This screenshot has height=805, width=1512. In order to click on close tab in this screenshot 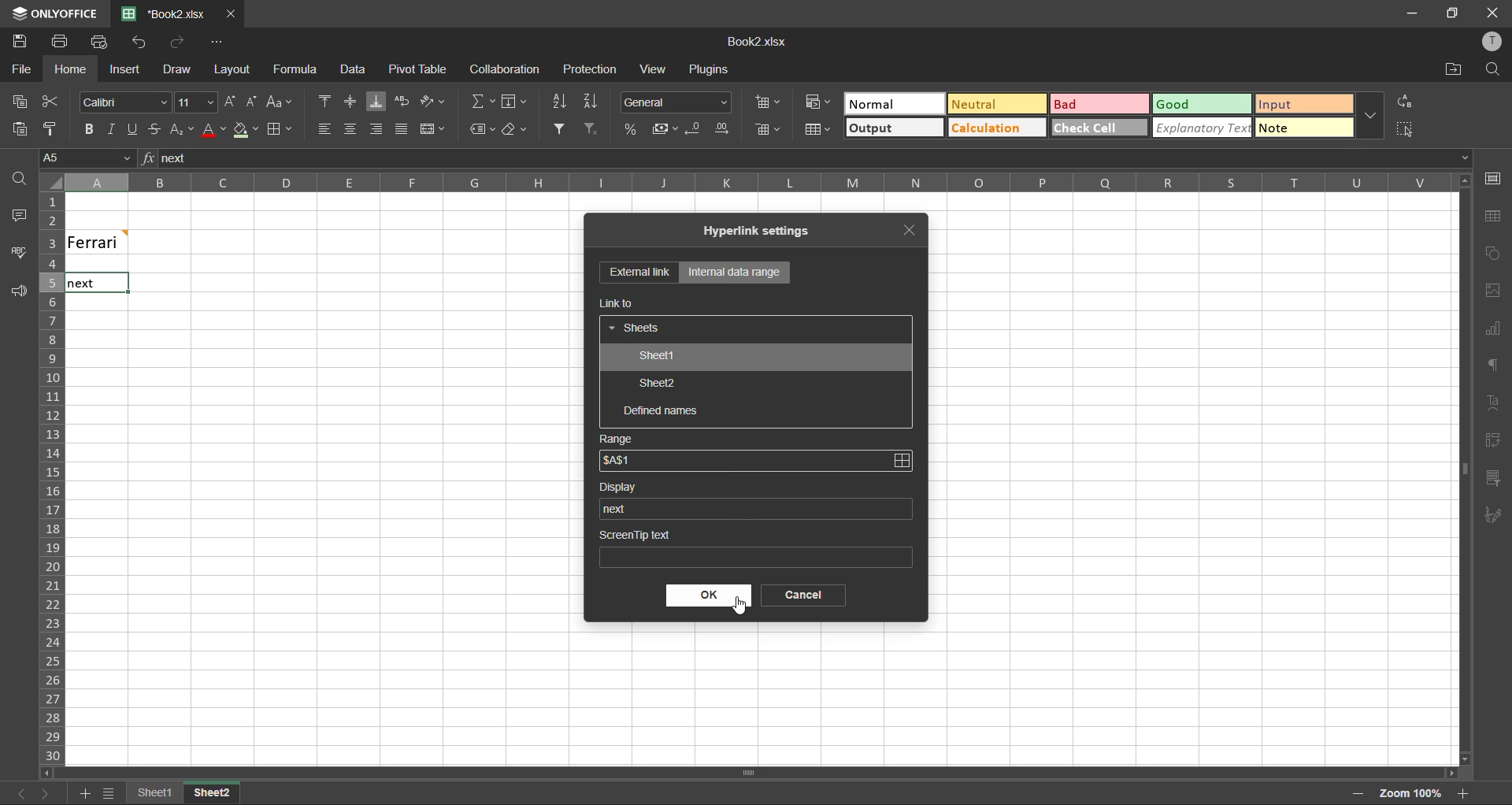, I will do `click(233, 13)`.